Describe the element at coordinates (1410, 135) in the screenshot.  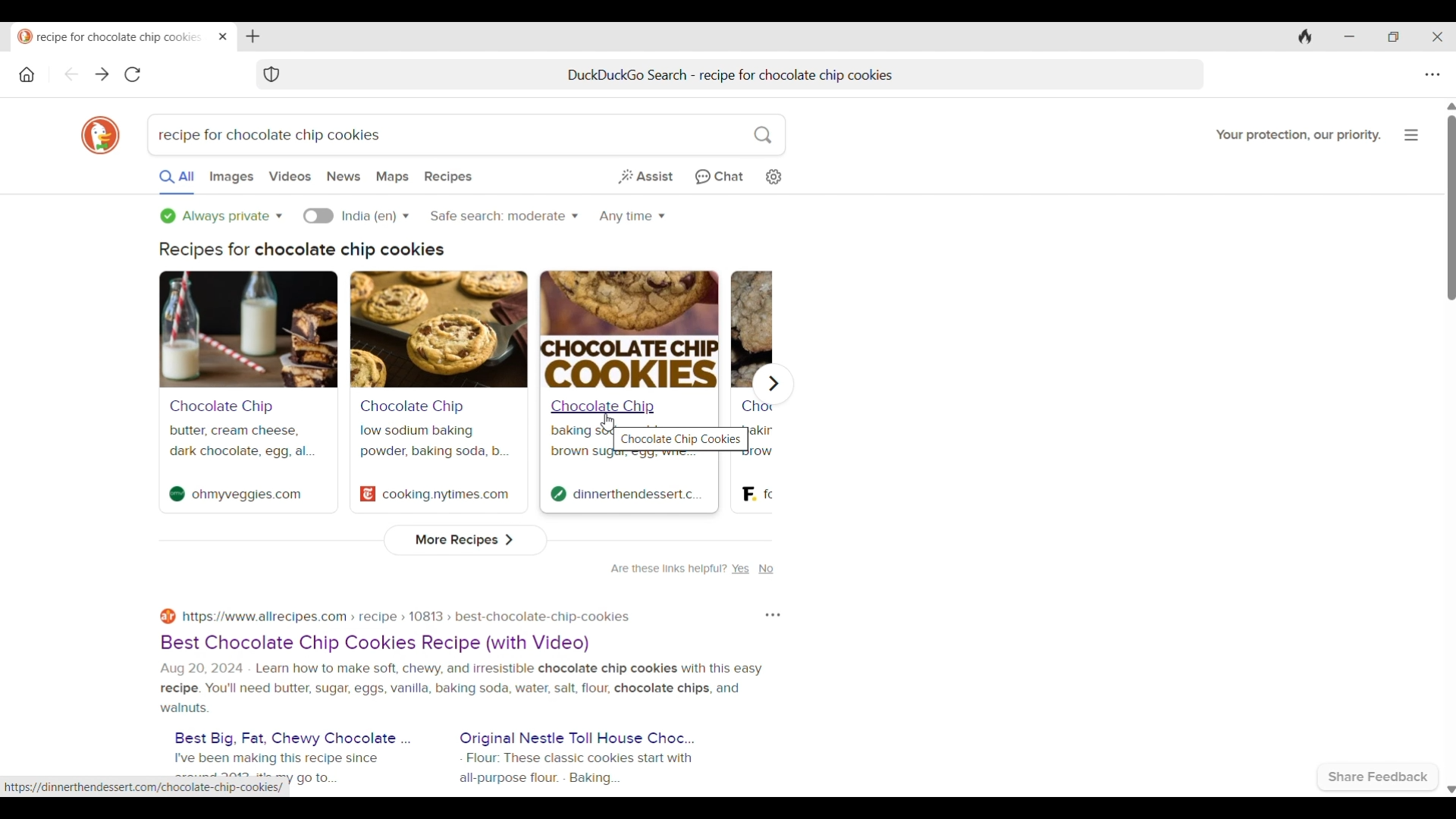
I see `More about browser` at that location.